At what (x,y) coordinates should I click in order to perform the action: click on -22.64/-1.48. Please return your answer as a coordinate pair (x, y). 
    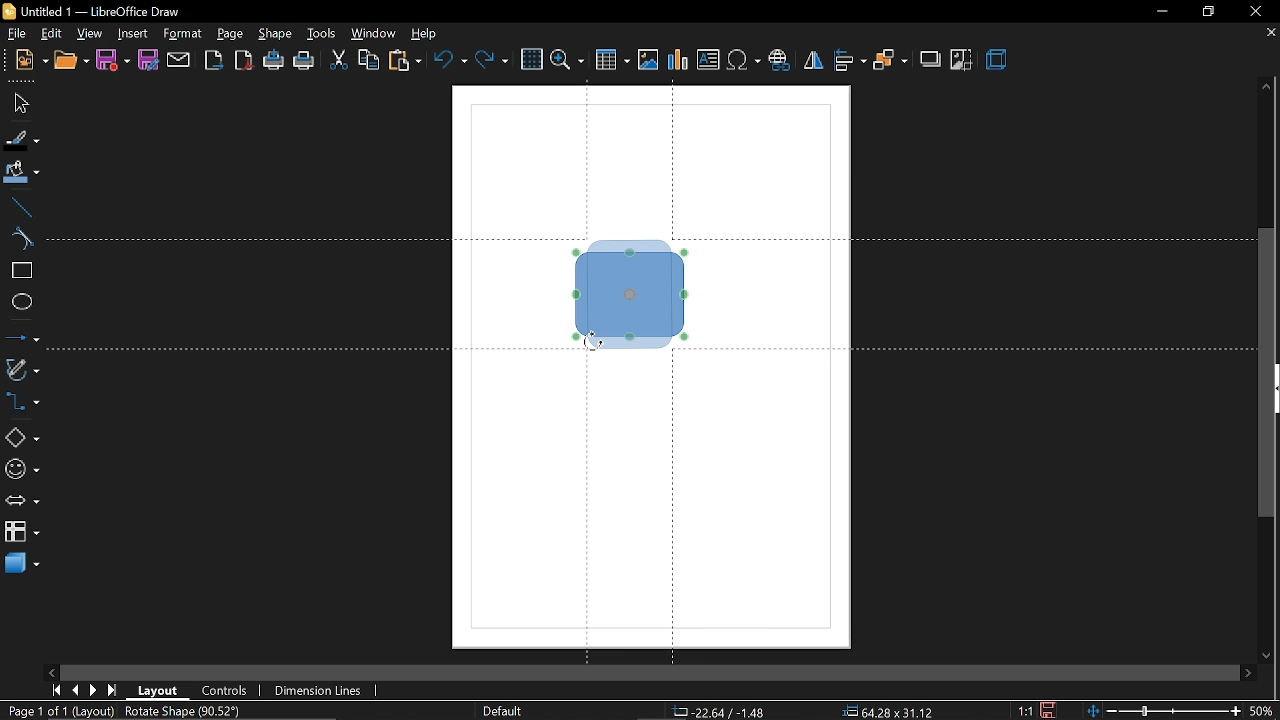
    Looking at the image, I should click on (724, 712).